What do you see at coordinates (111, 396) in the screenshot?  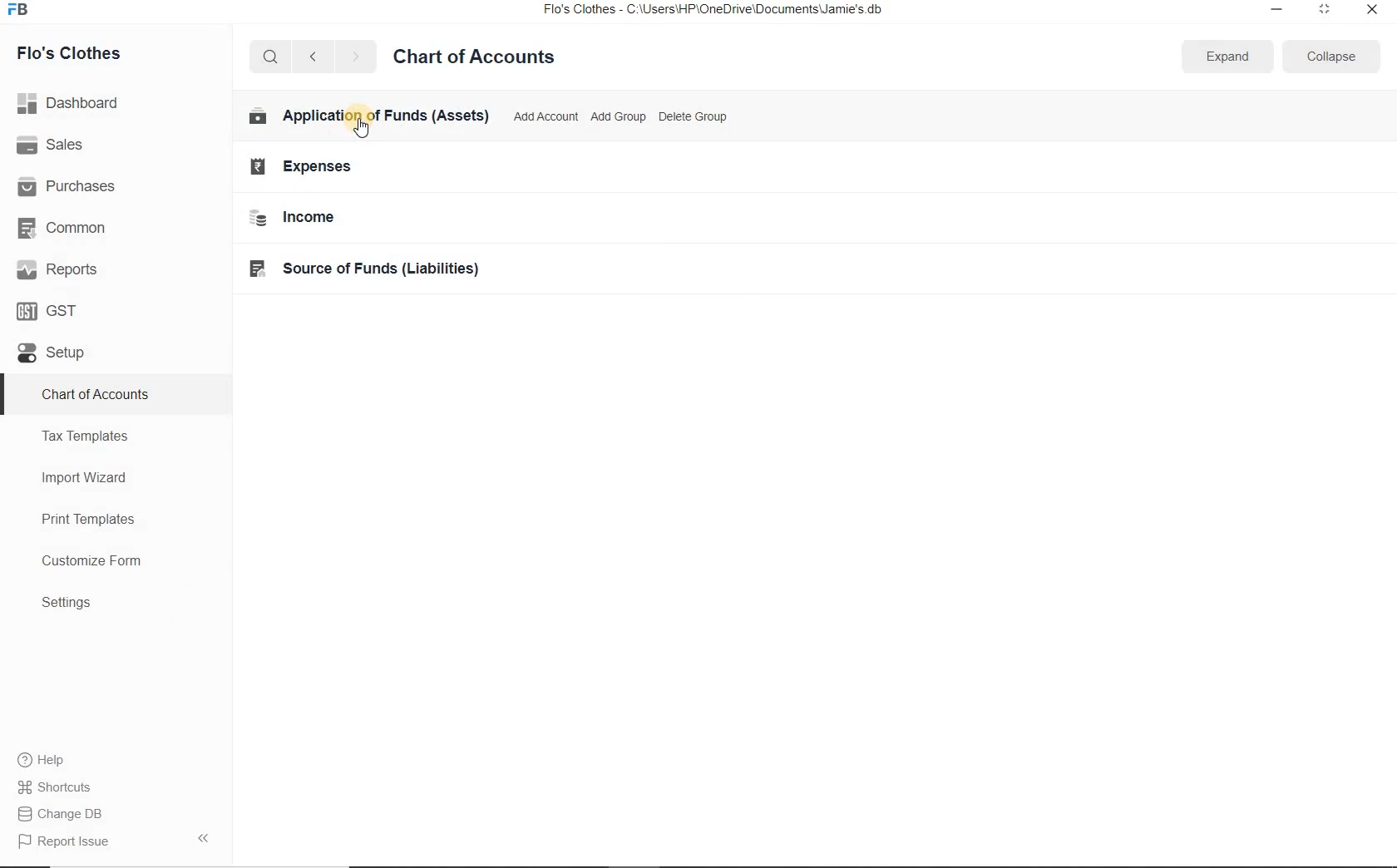 I see `chart of Accounts` at bounding box center [111, 396].